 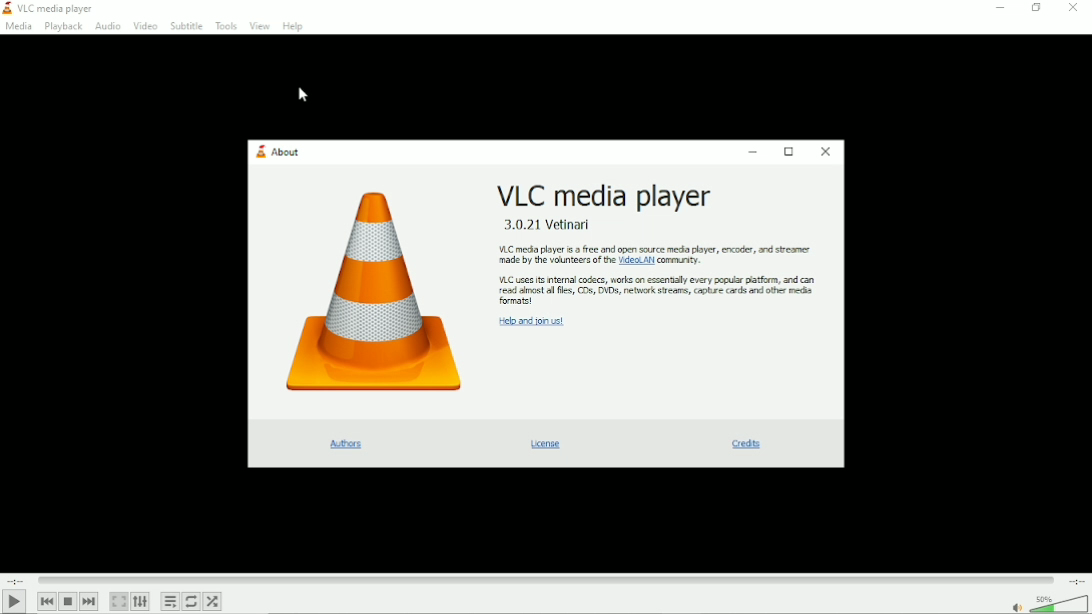 I want to click on License, so click(x=550, y=443).